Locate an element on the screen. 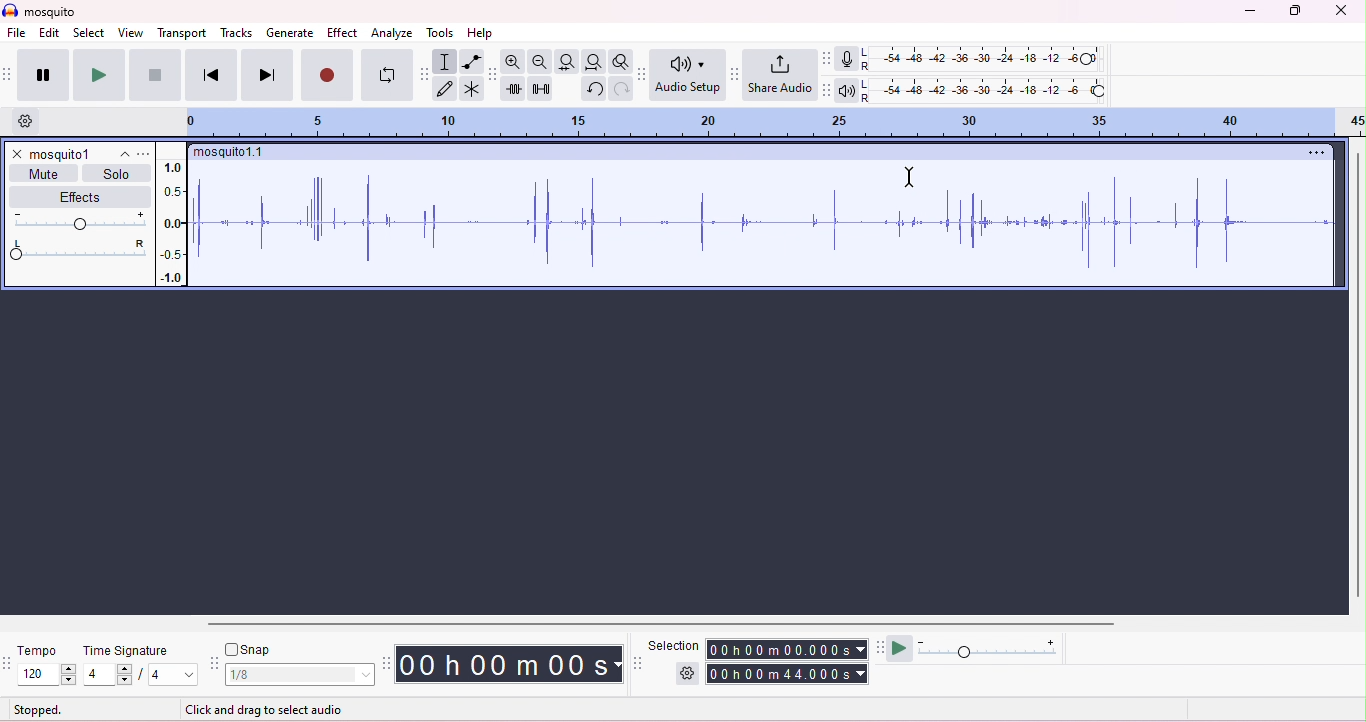 This screenshot has height=722, width=1366. trim outside selection is located at coordinates (515, 89).